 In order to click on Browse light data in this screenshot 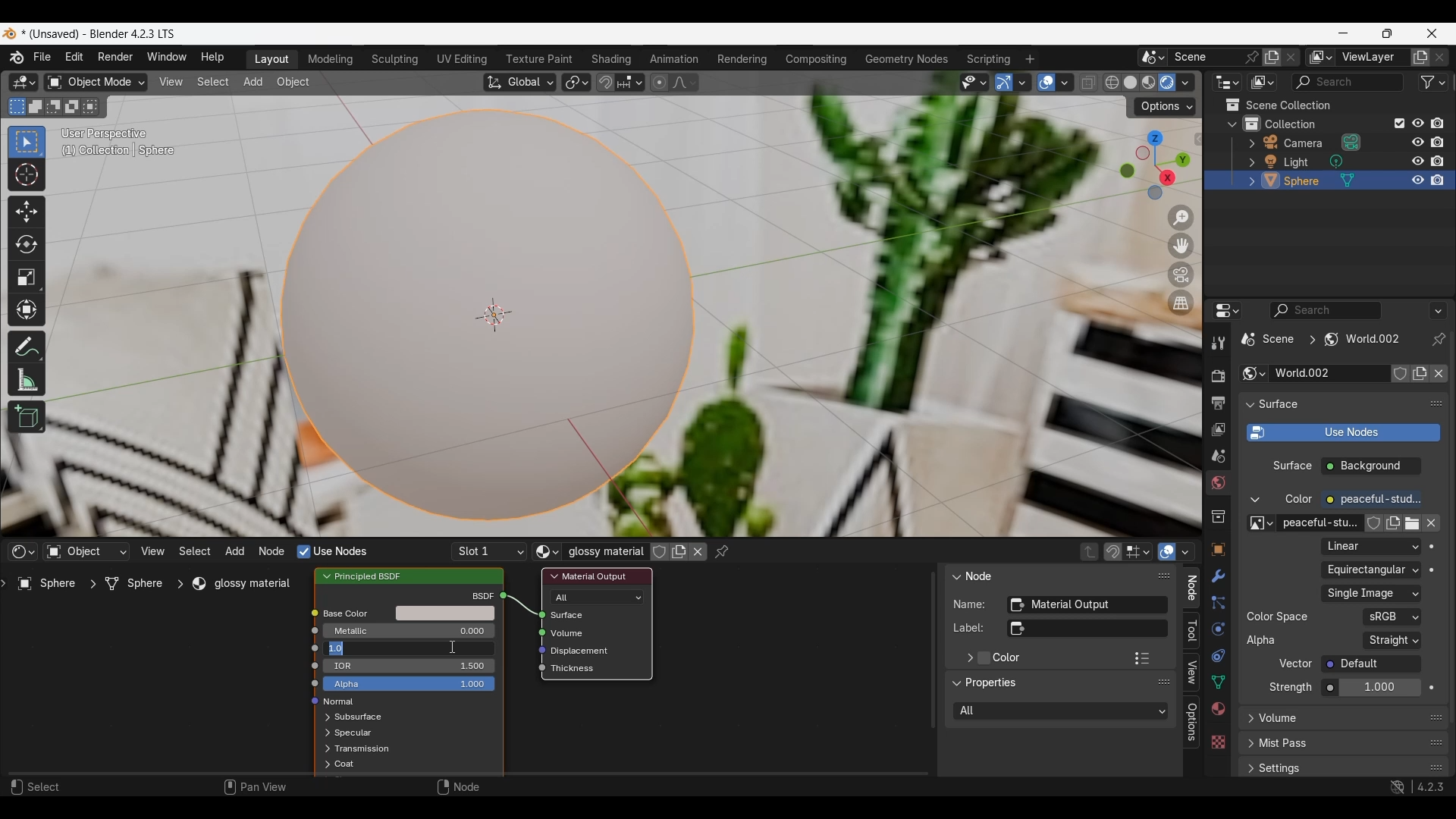, I will do `click(1335, 161)`.